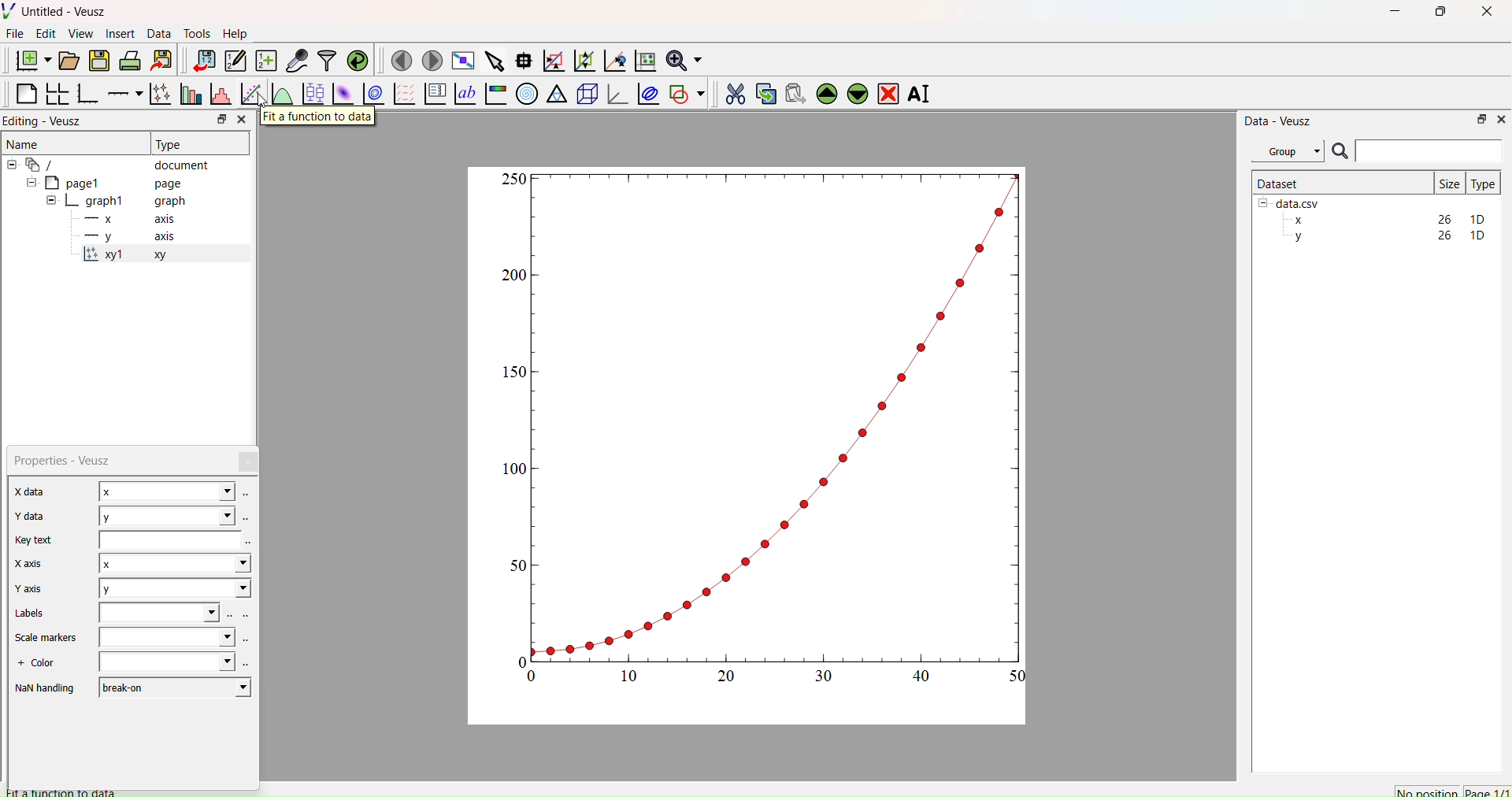  I want to click on Select using dataset browser, so click(246, 517).